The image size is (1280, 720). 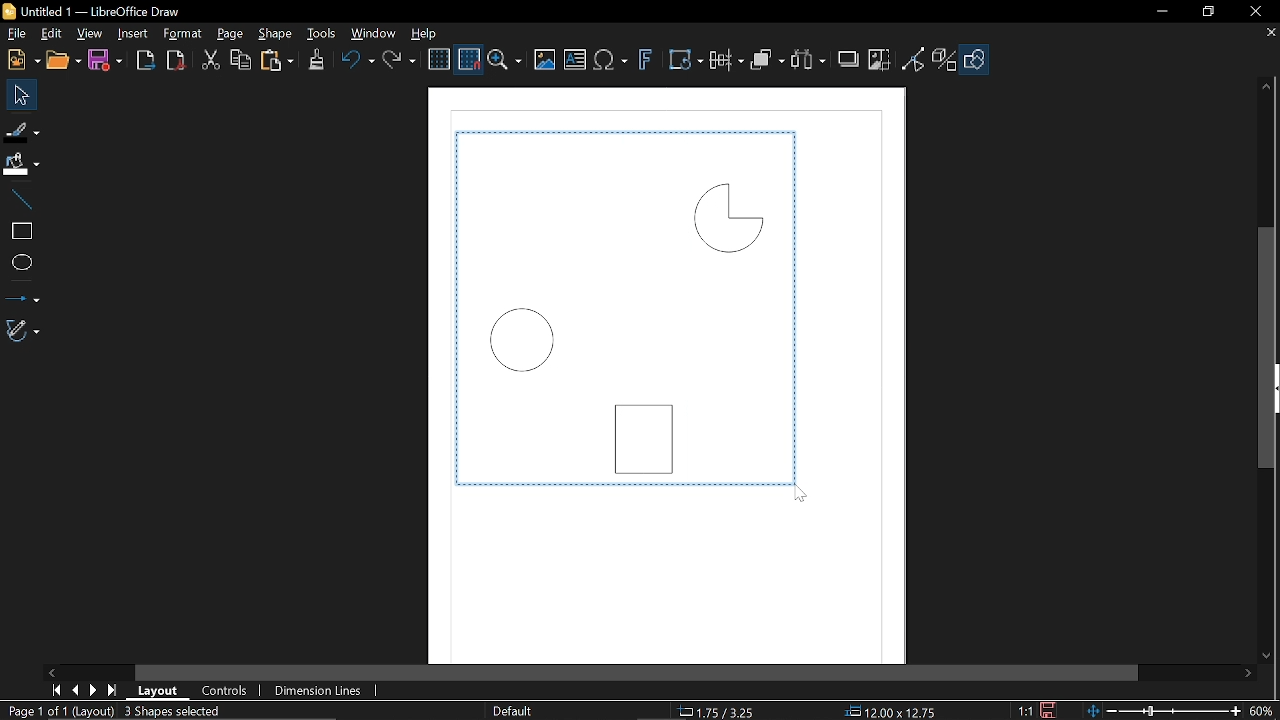 What do you see at coordinates (945, 60) in the screenshot?
I see `Toggle extrusion` at bounding box center [945, 60].